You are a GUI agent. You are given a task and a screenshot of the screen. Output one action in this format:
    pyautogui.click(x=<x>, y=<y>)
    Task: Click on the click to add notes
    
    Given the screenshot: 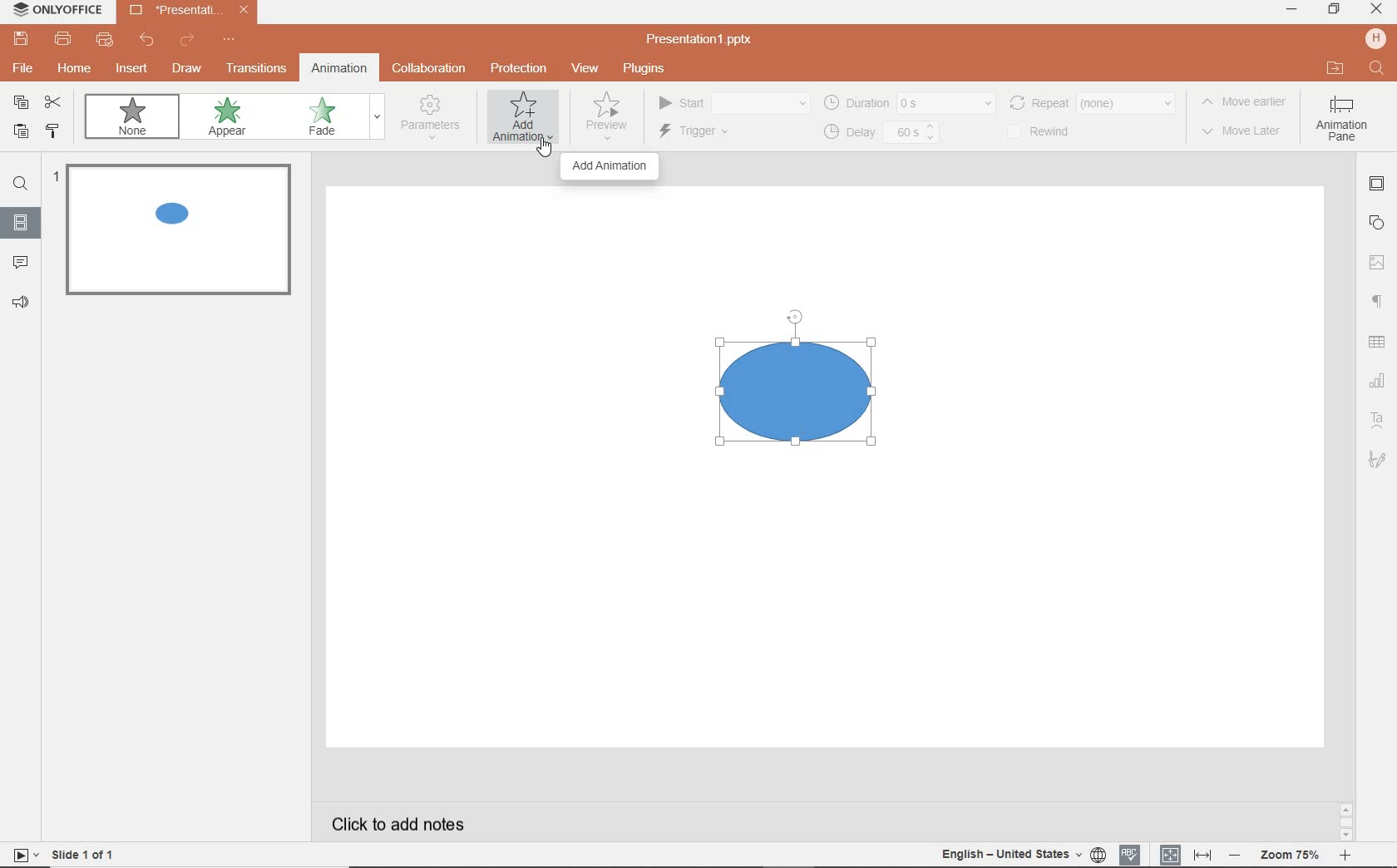 What is the action you would take?
    pyautogui.click(x=402, y=819)
    